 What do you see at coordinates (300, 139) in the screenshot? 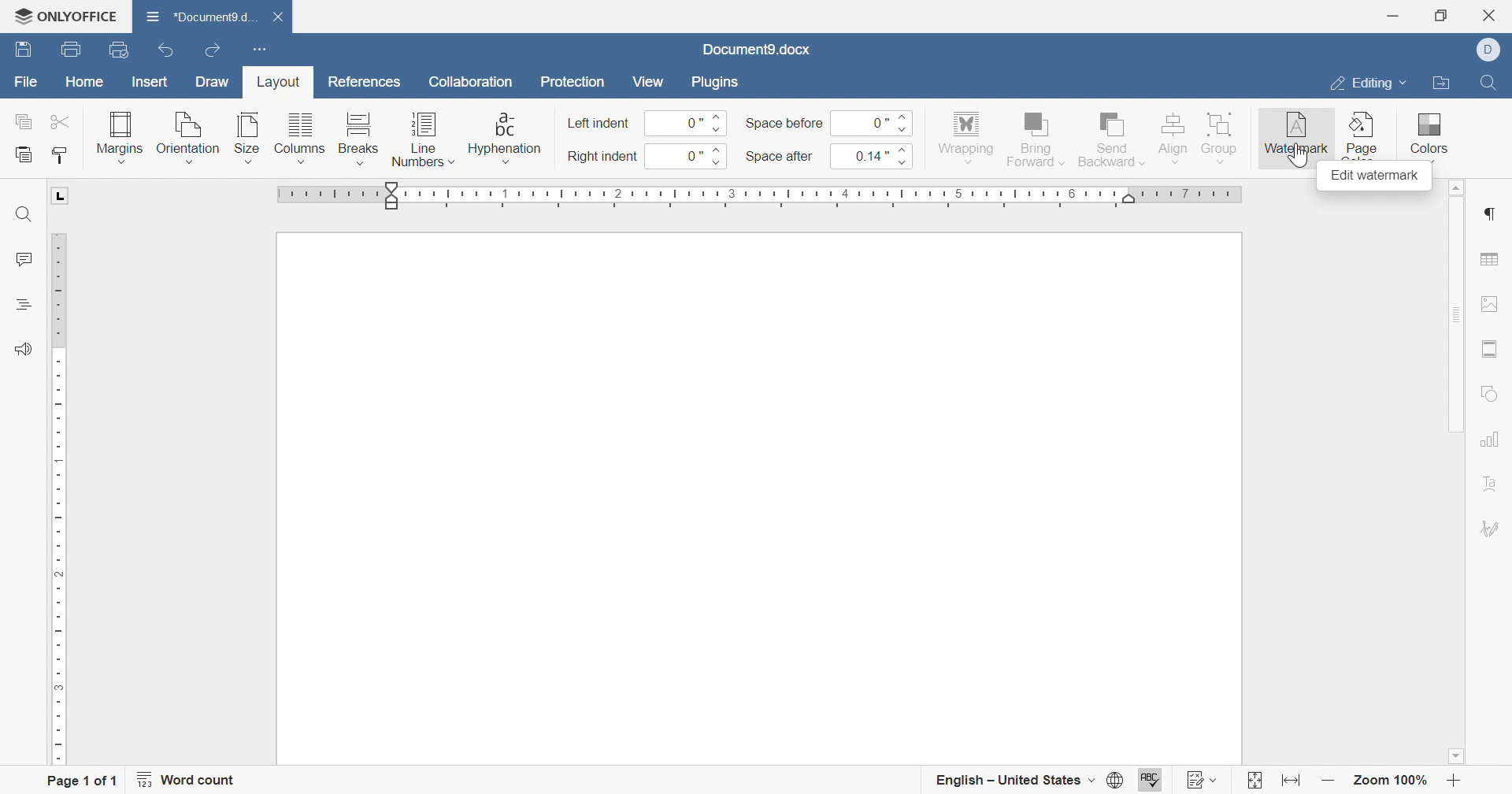
I see `columns` at bounding box center [300, 139].